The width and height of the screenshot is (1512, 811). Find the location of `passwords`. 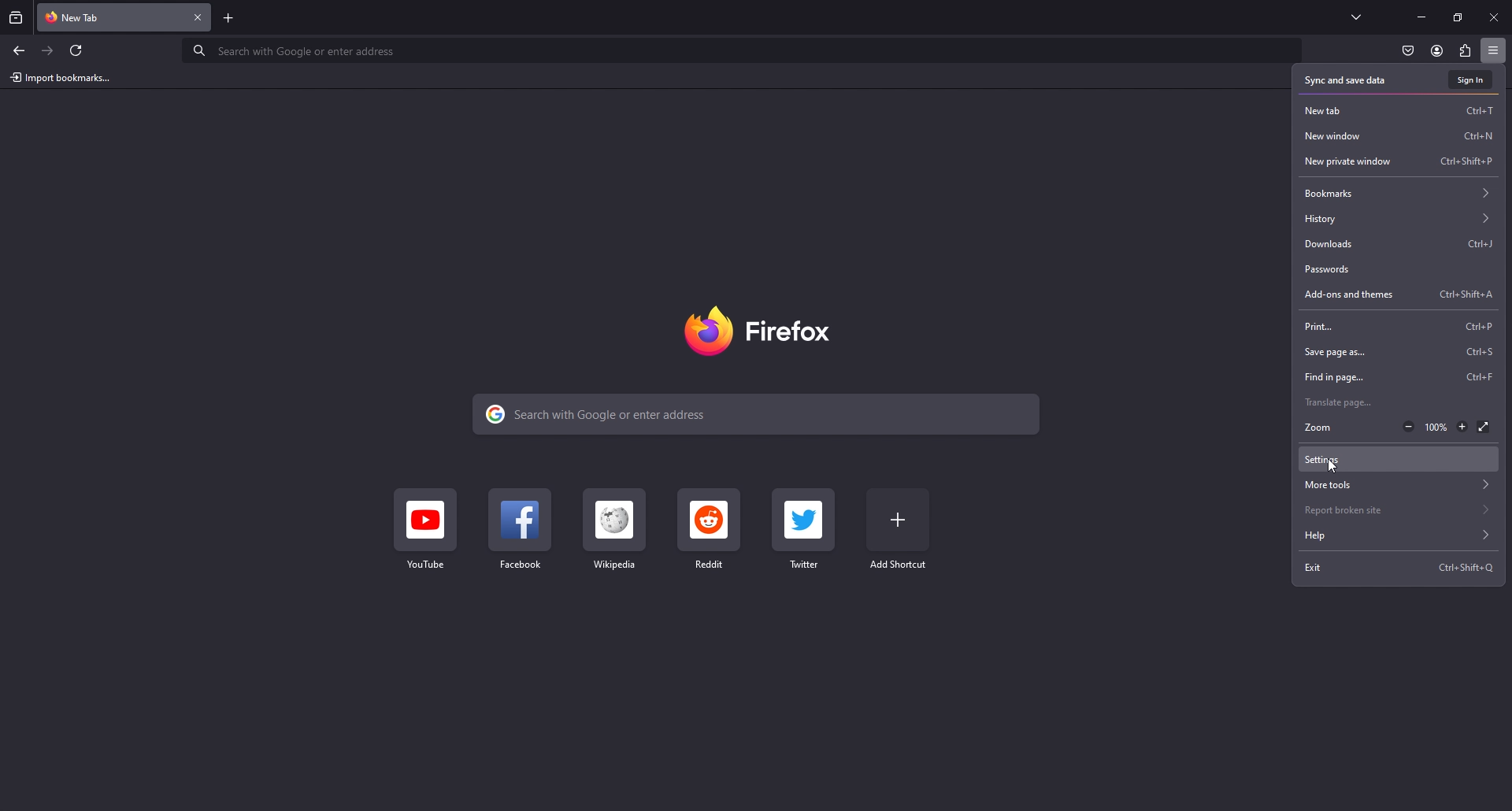

passwords is located at coordinates (1396, 270).